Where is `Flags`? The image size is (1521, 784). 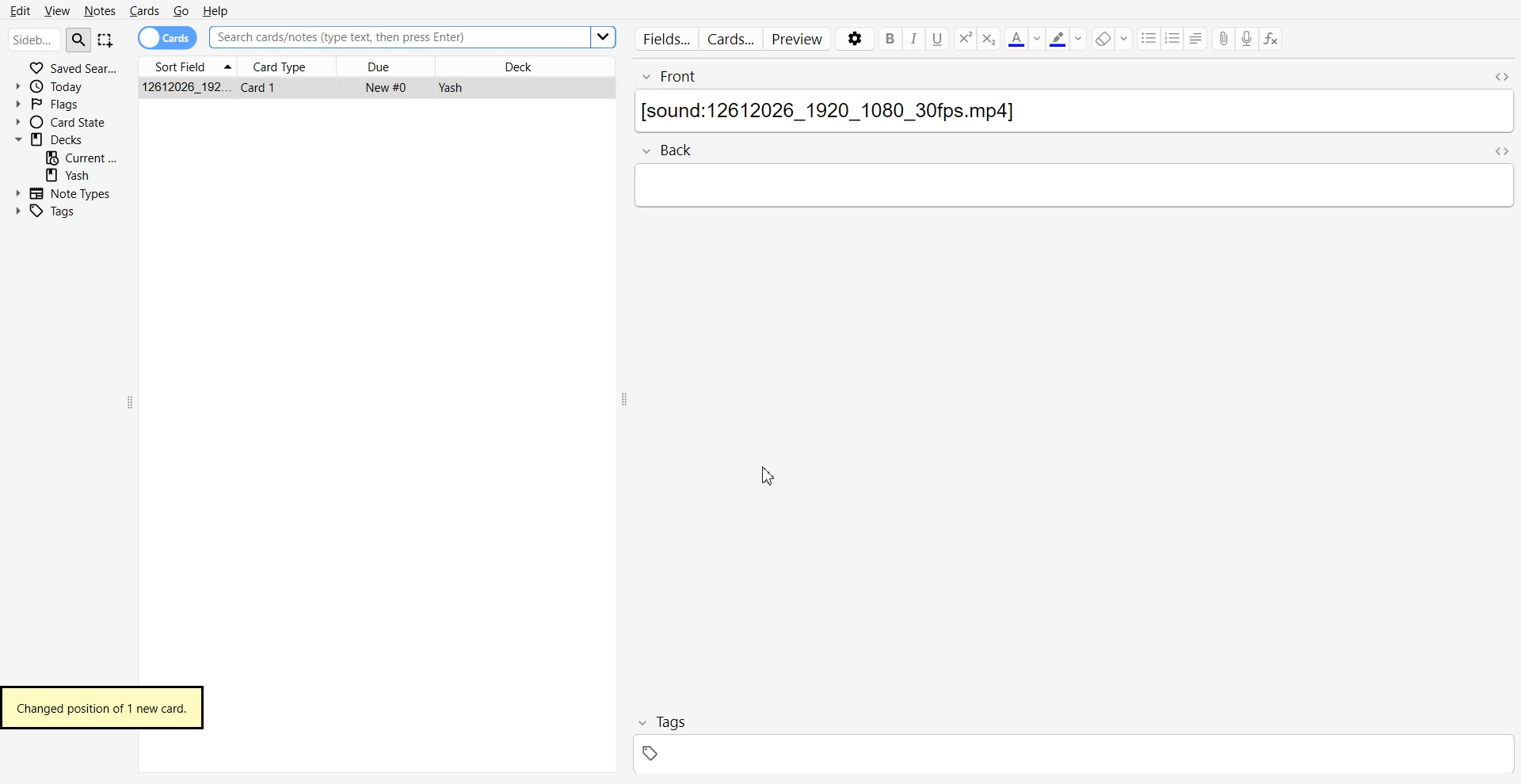
Flags is located at coordinates (67, 104).